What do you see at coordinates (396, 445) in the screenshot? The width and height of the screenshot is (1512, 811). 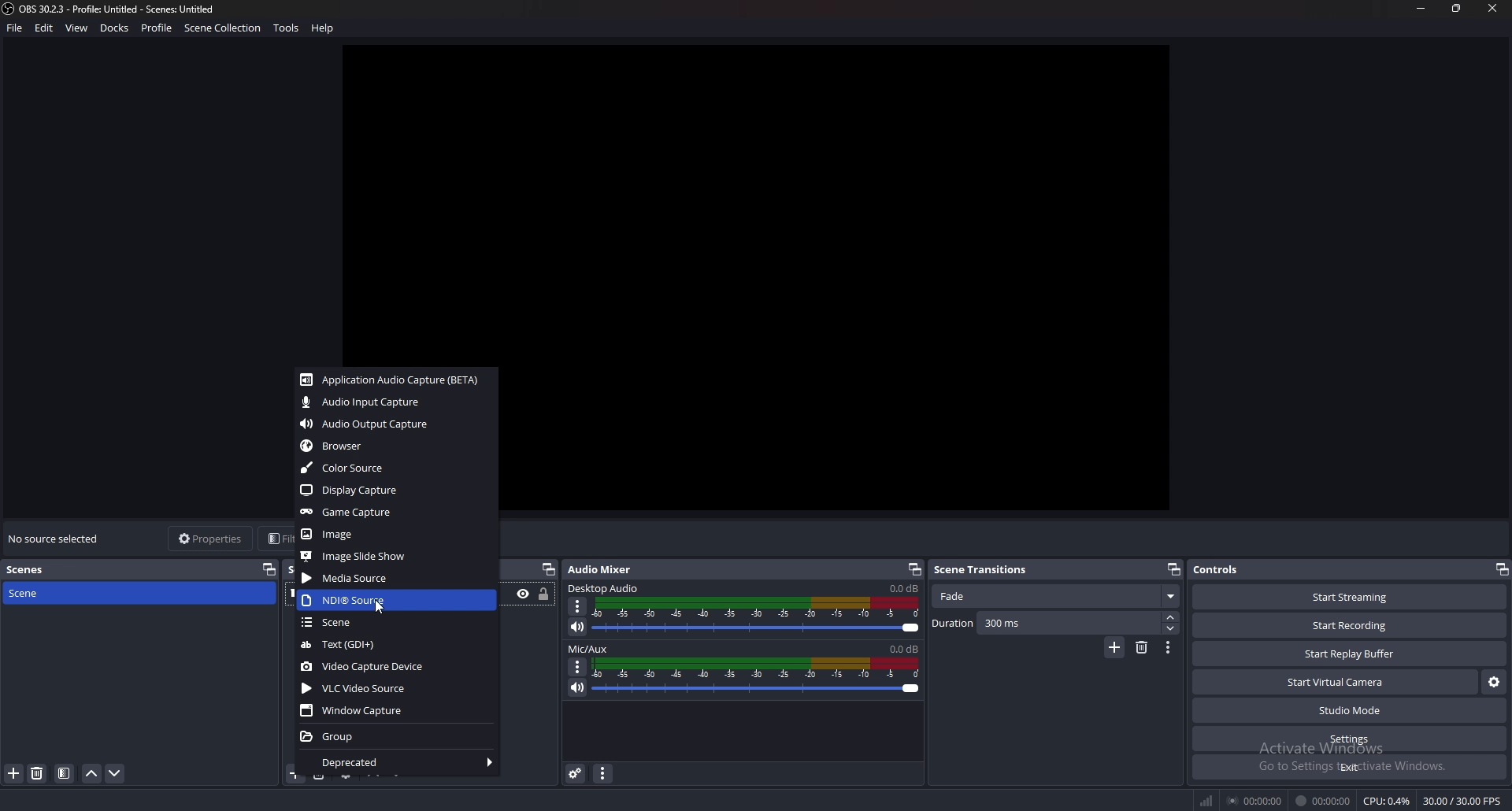 I see `browser` at bounding box center [396, 445].